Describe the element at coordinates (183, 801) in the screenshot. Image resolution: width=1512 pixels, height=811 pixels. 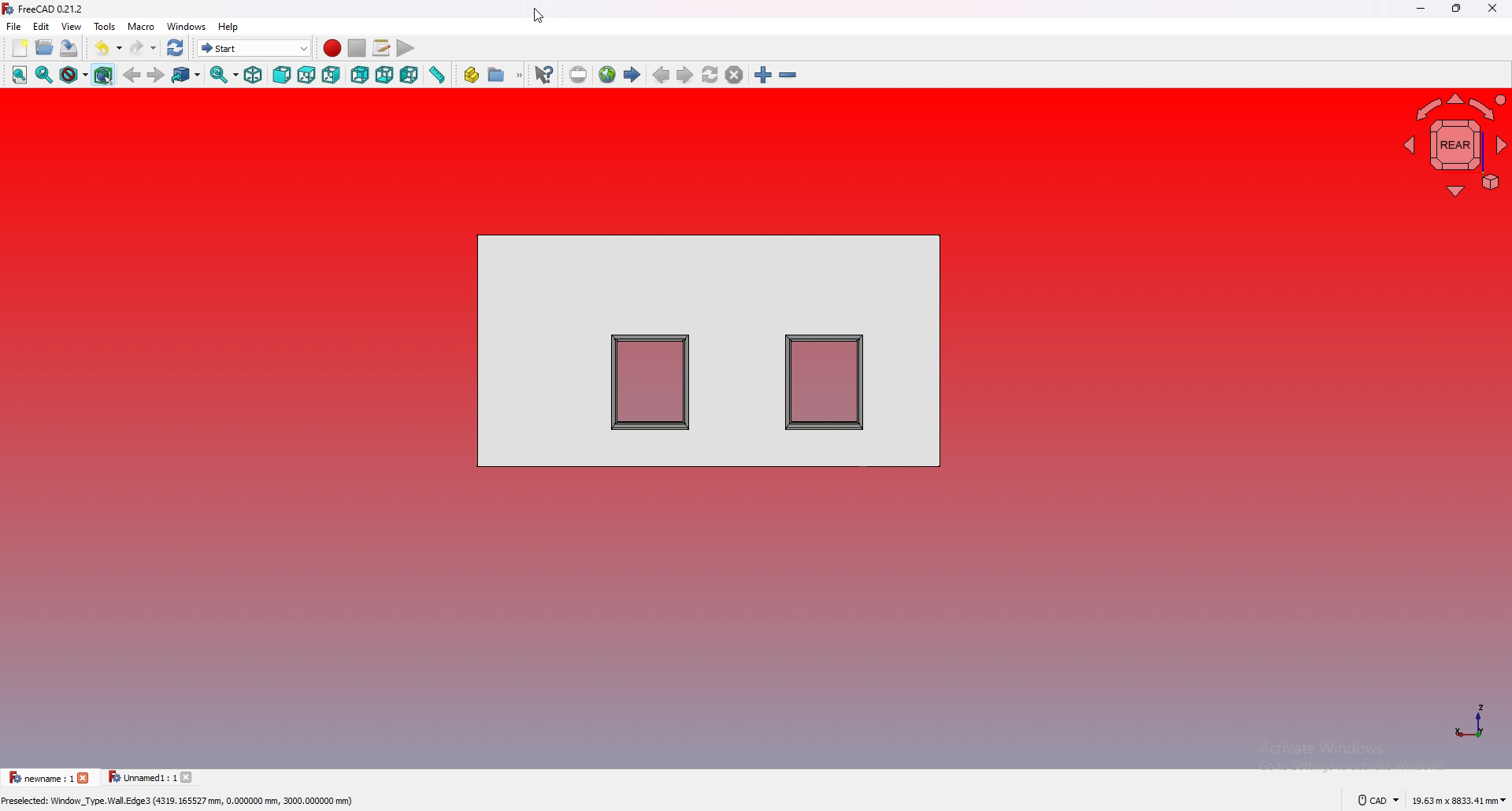
I see `Preselected: Window _Type.Wall.Edge3 (4319. 165527 mm, 0.000000 mm, 3000.000000 mm)` at that location.